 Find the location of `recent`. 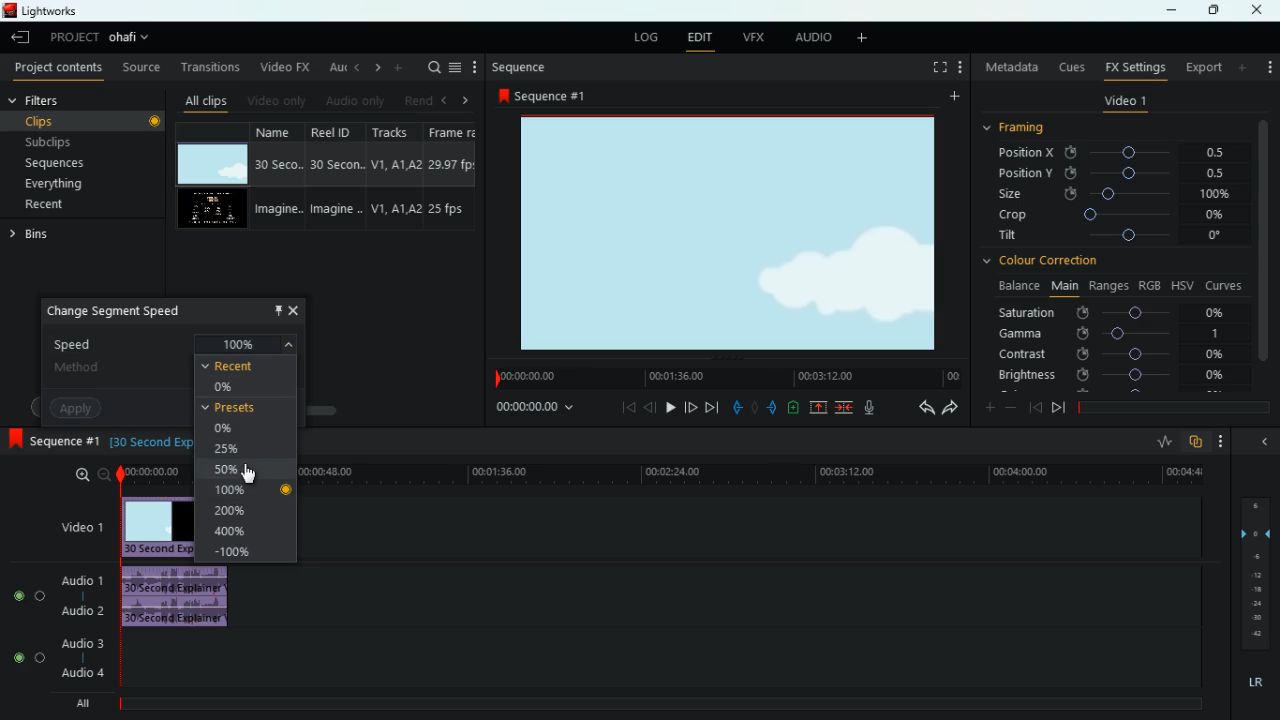

recent is located at coordinates (66, 206).